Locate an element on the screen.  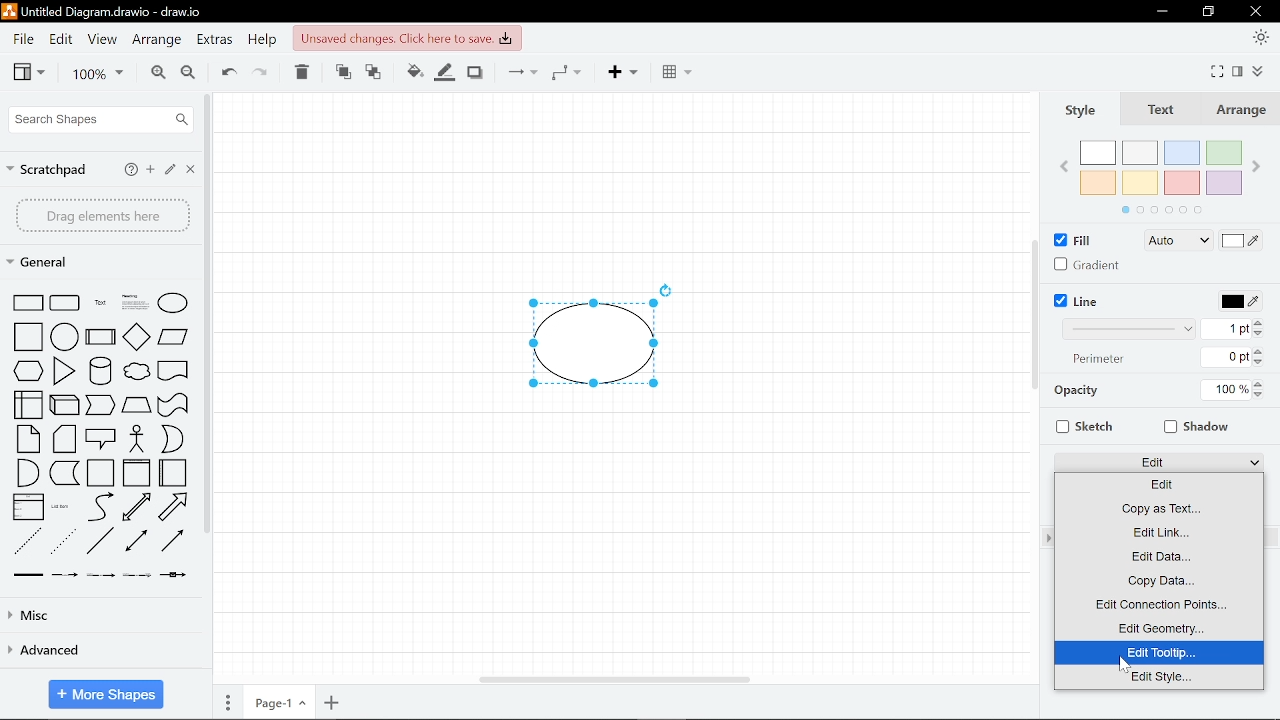
horizontal scrollbar is located at coordinates (610, 679).